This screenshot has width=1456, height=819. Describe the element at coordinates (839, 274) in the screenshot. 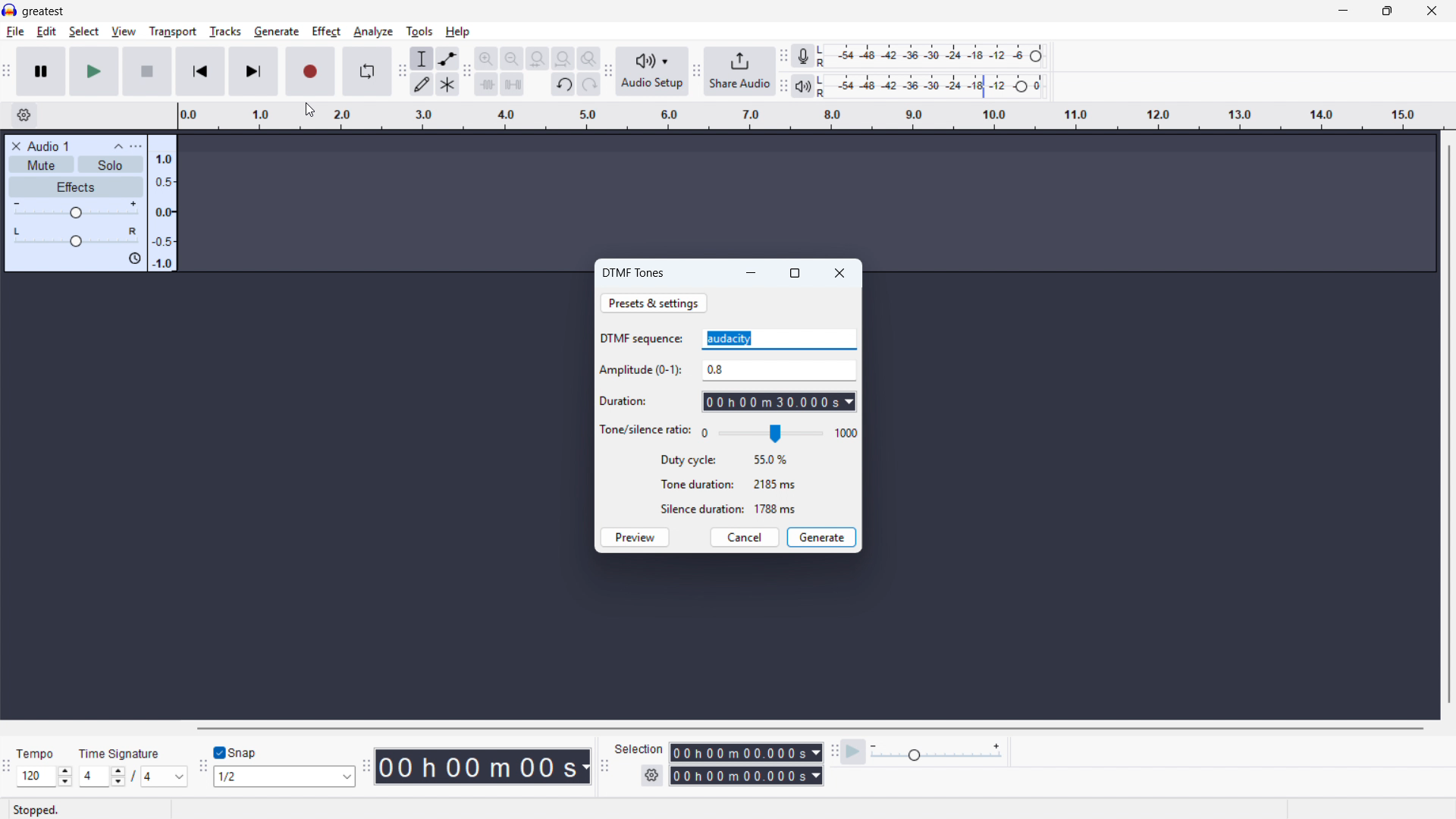

I see `close ` at that location.